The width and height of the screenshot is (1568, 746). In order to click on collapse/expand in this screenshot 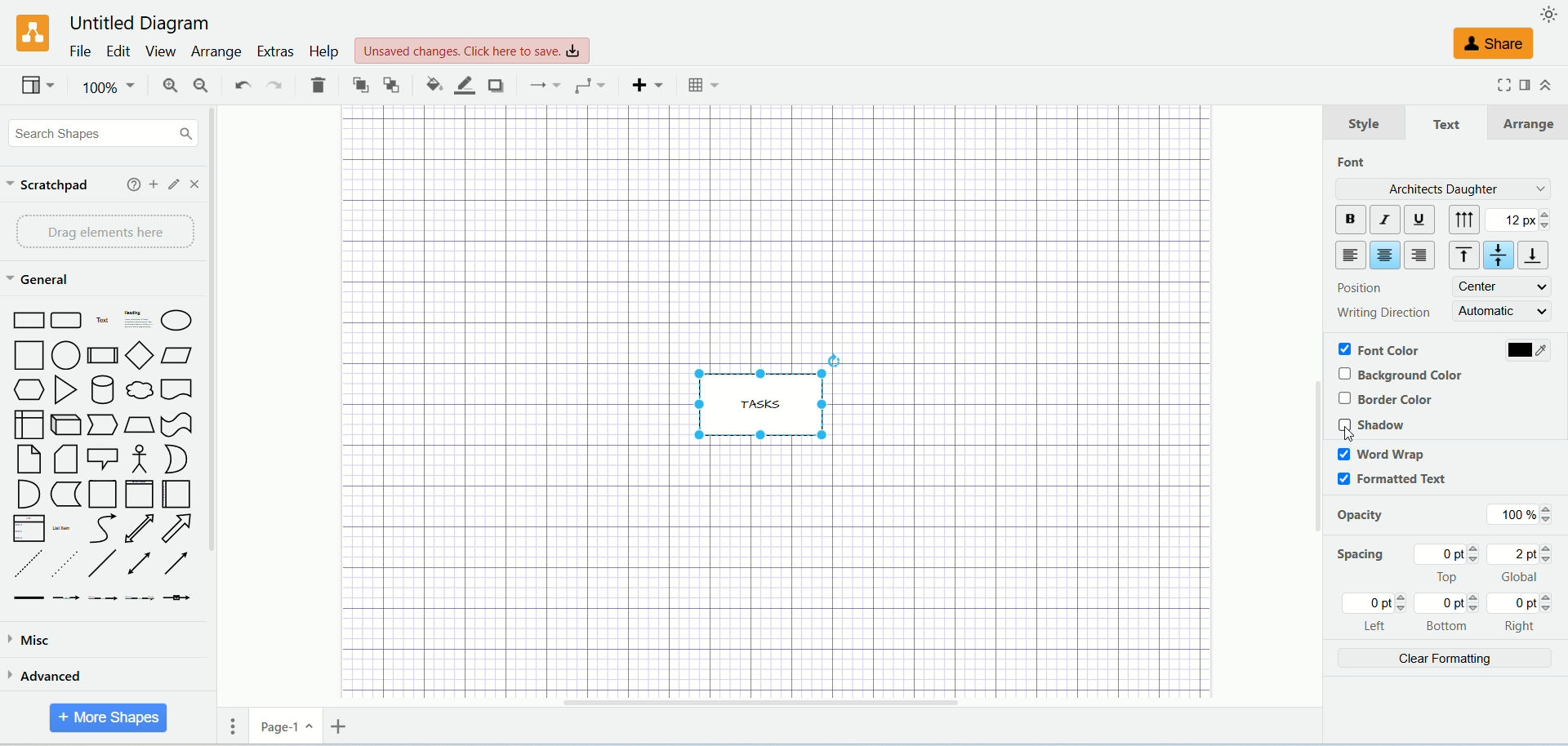, I will do `click(1546, 84)`.